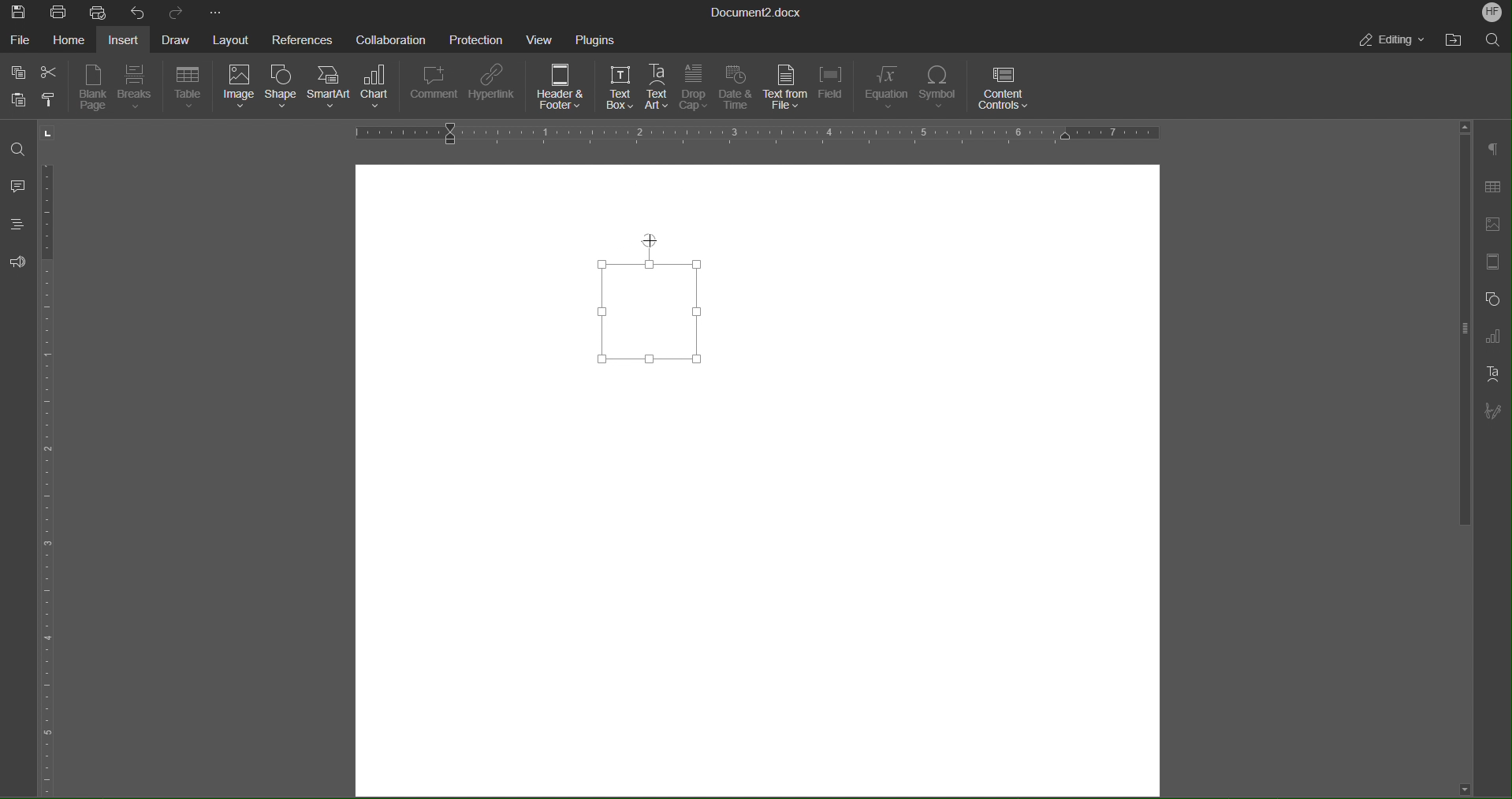  I want to click on Redo, so click(172, 12).